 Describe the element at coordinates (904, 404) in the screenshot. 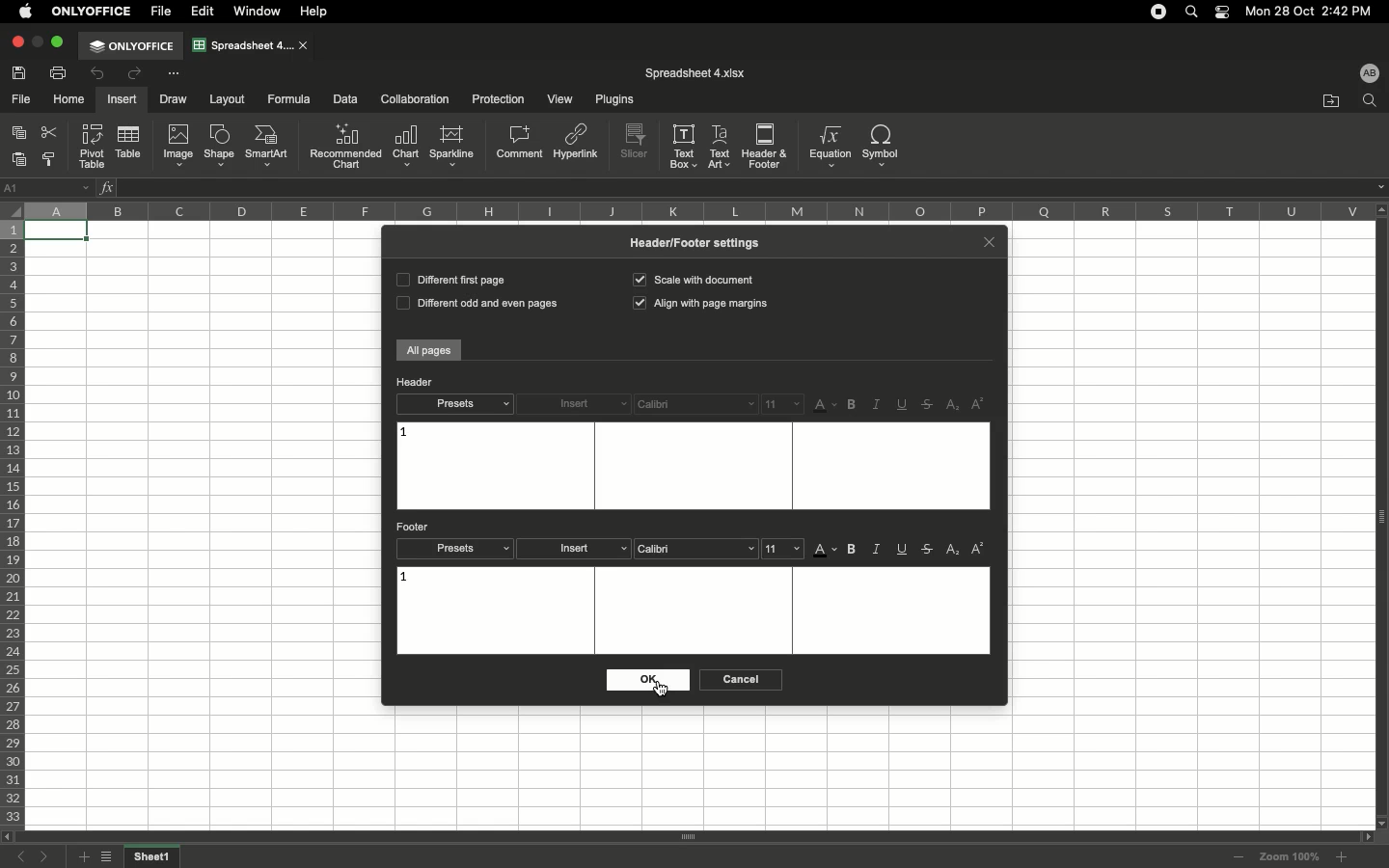

I see `Underline` at that location.